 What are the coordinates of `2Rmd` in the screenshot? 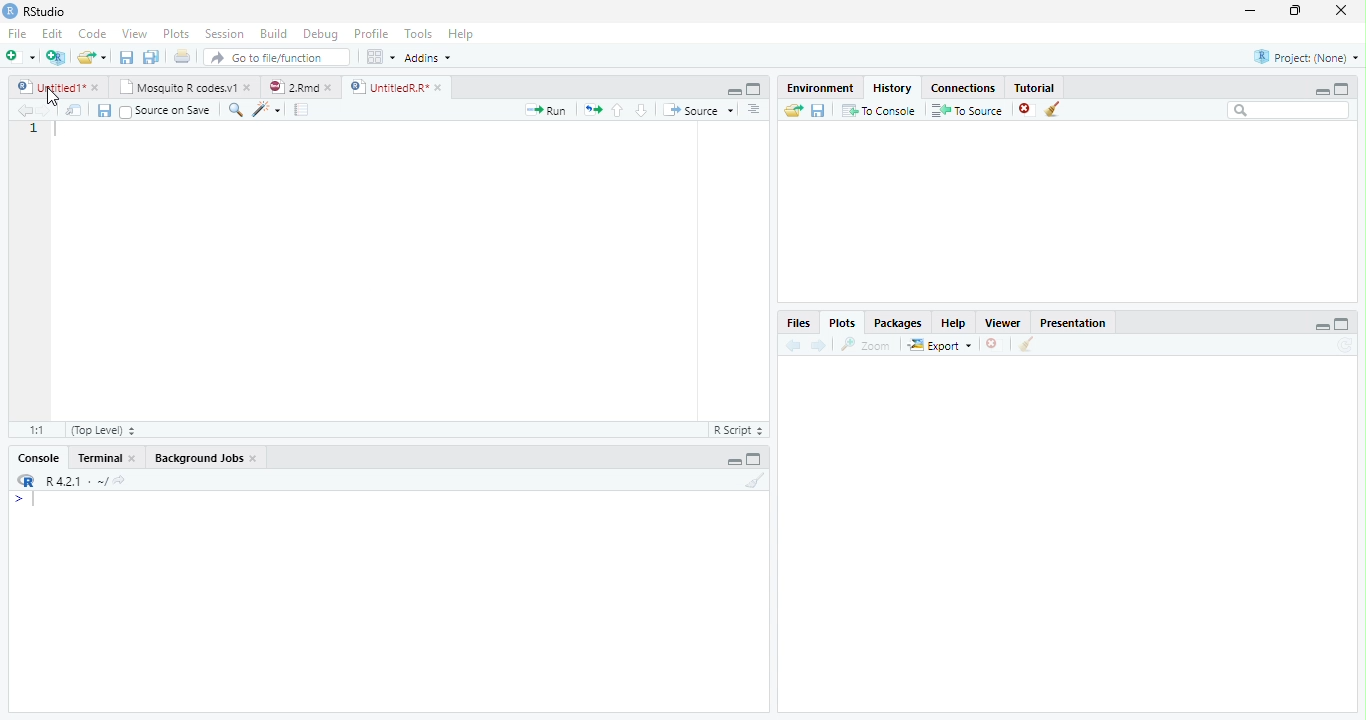 It's located at (292, 86).